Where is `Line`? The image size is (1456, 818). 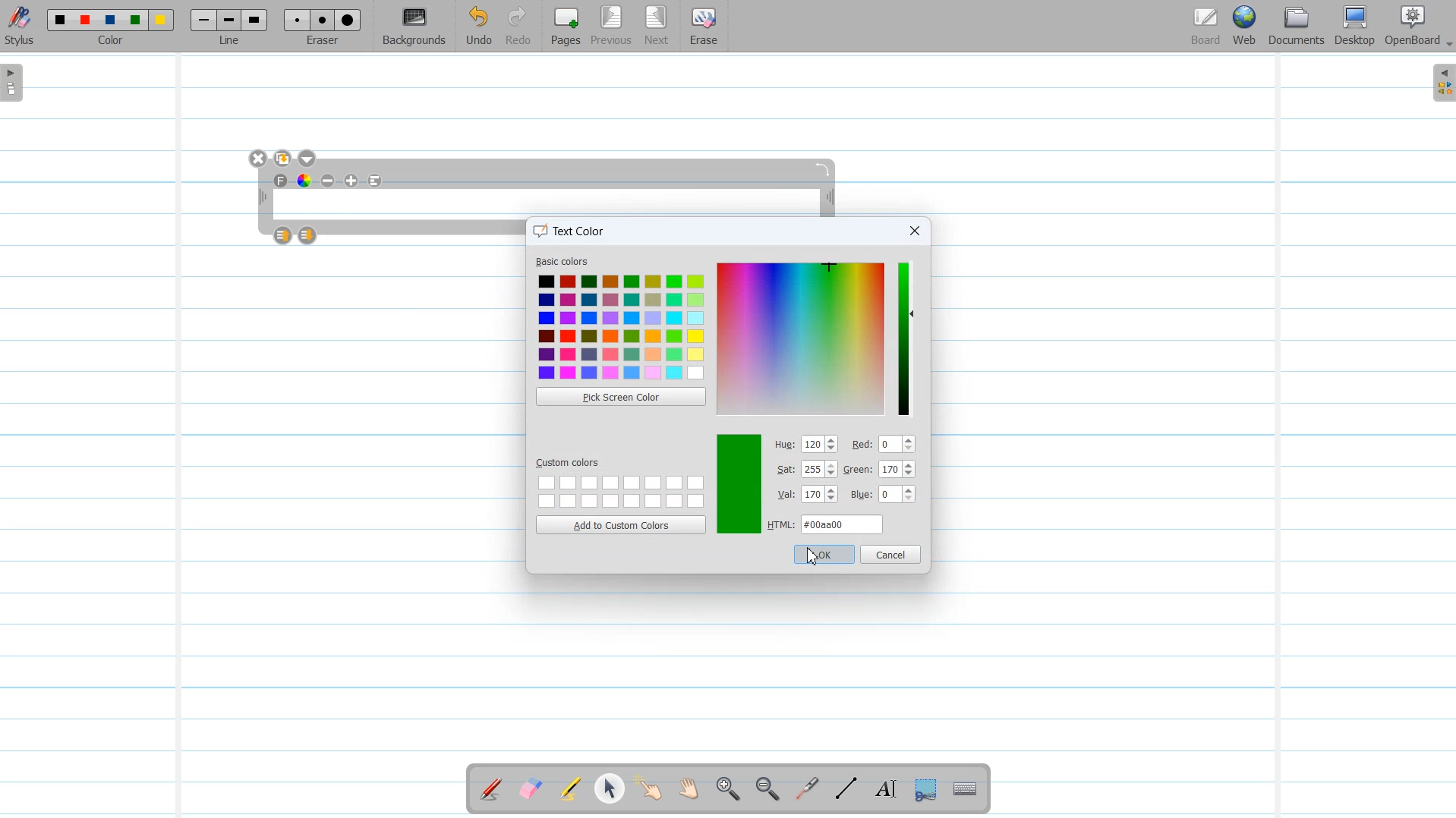
Line is located at coordinates (231, 26).